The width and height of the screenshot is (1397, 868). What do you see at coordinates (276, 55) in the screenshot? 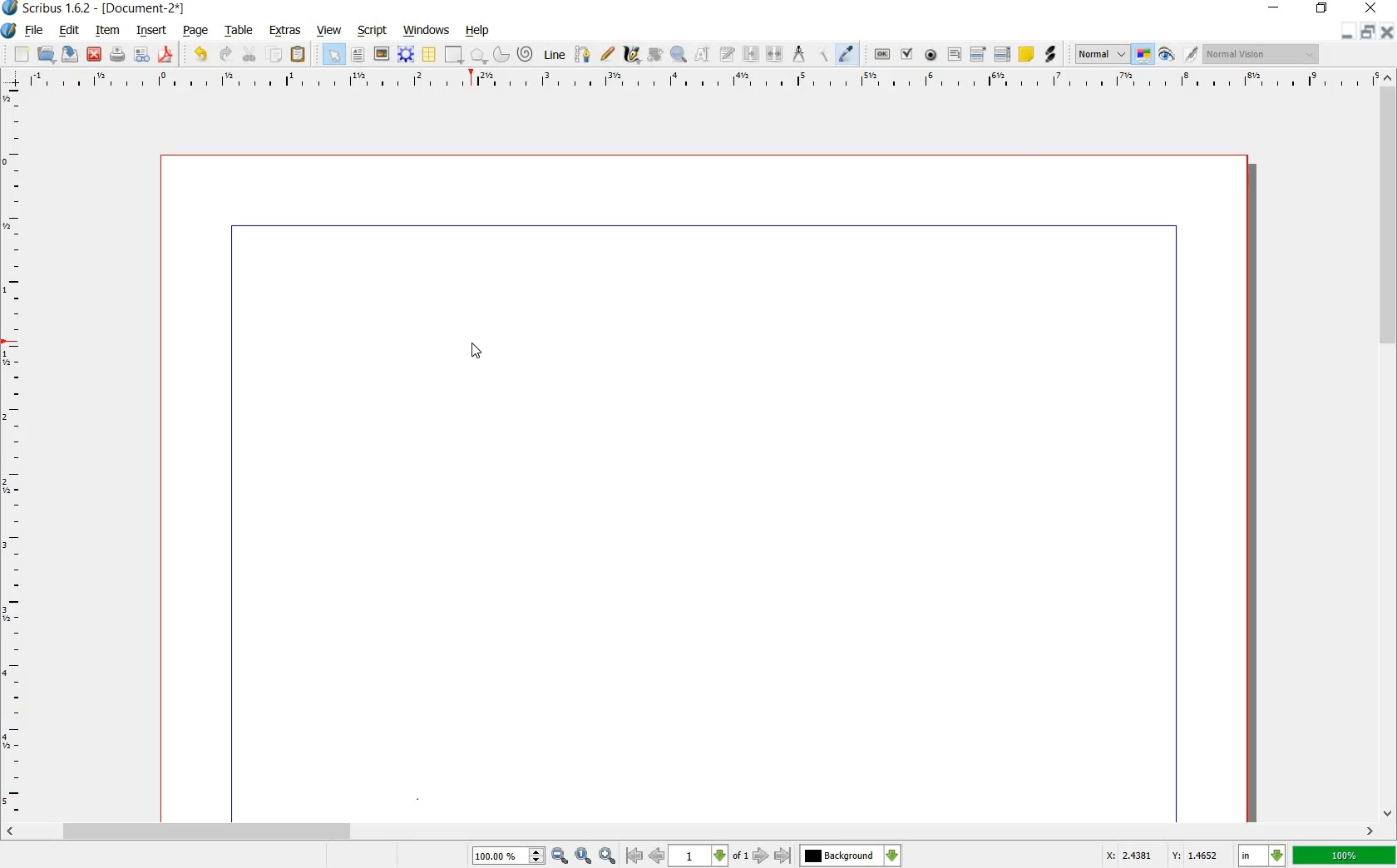
I see `COPY` at bounding box center [276, 55].